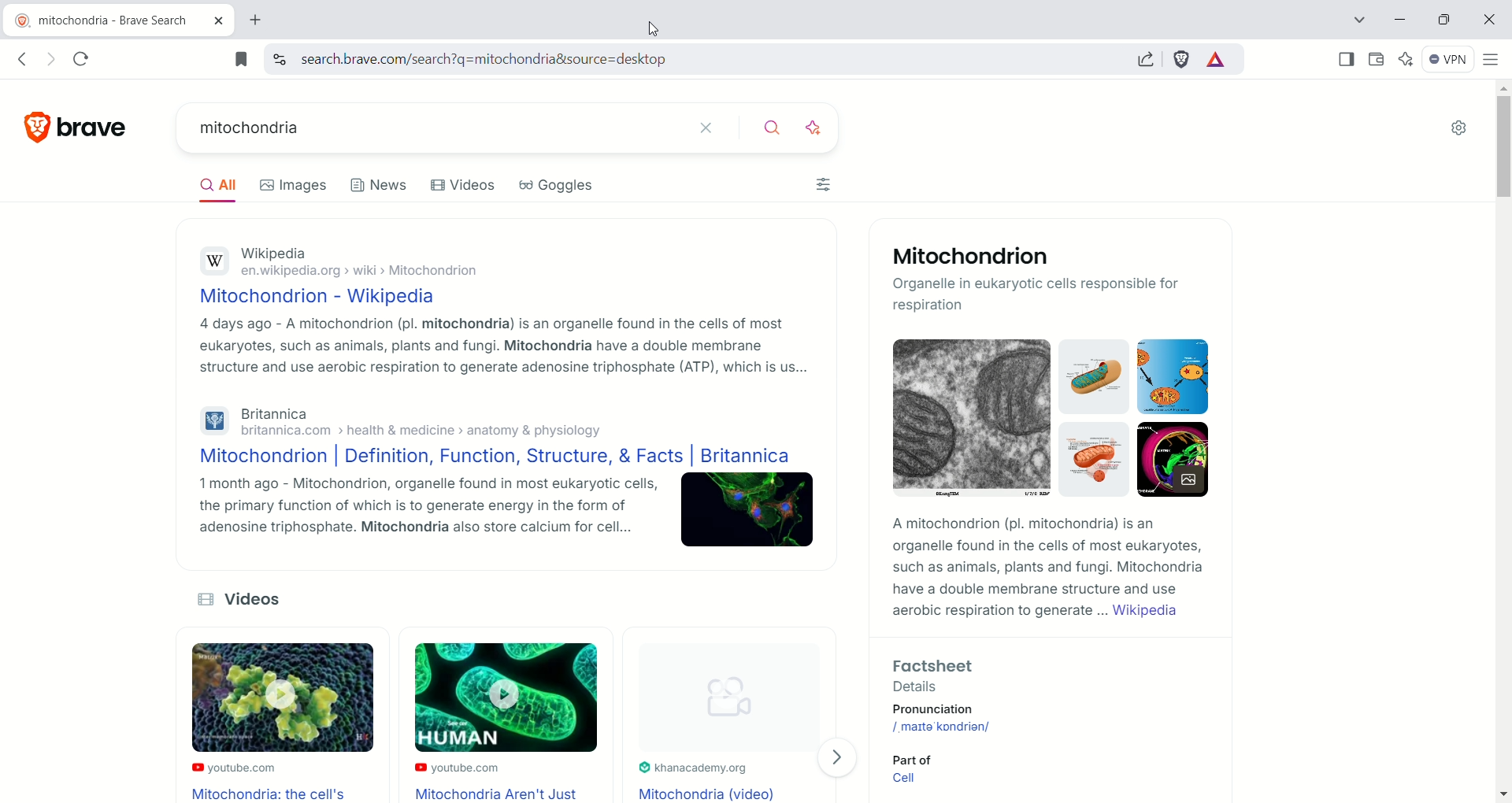 Image resolution: width=1512 pixels, height=803 pixels. What do you see at coordinates (51, 58) in the screenshot?
I see `go forward` at bounding box center [51, 58].